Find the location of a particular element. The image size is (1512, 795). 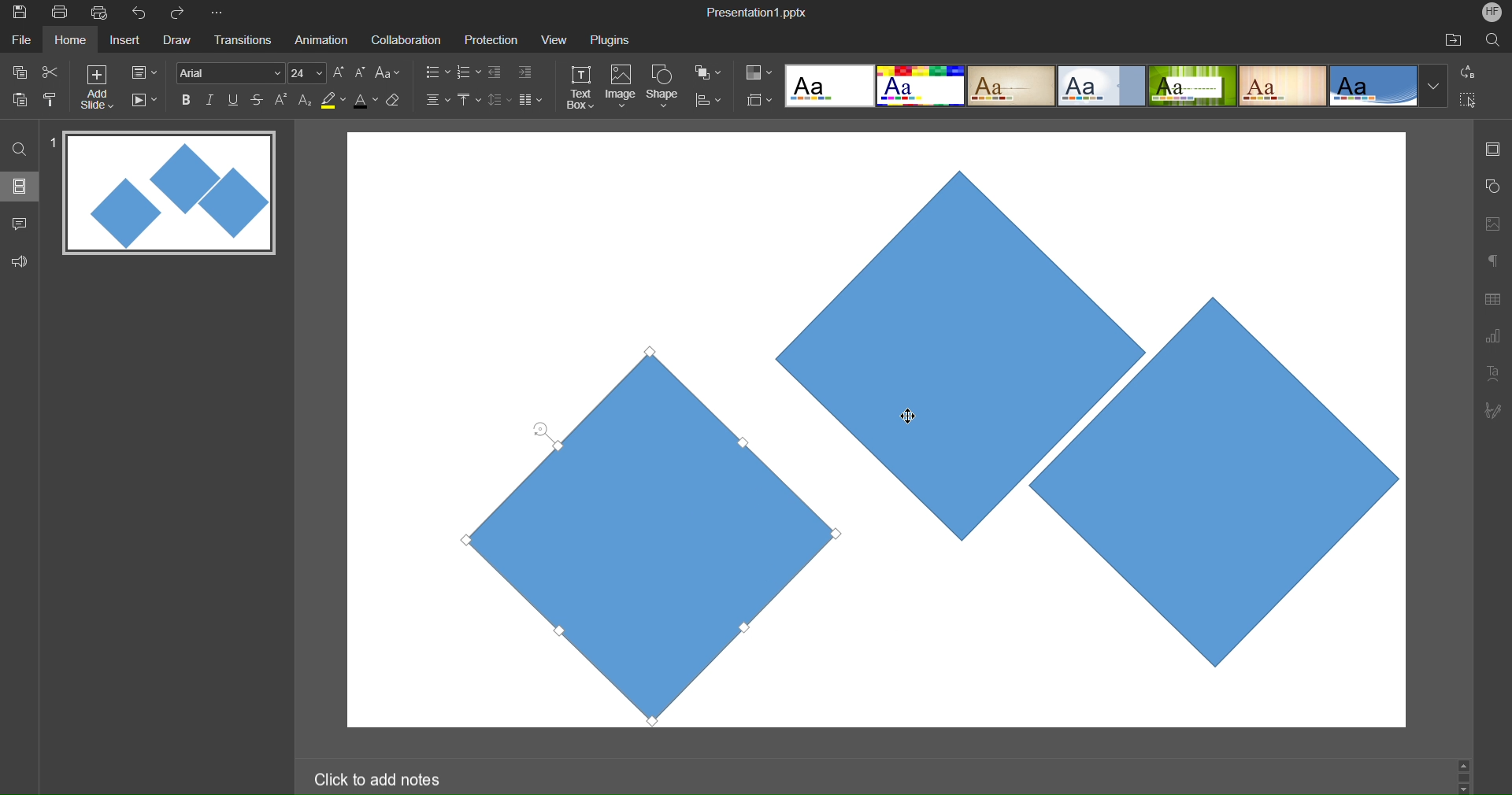

Image Settings is located at coordinates (1490, 224).